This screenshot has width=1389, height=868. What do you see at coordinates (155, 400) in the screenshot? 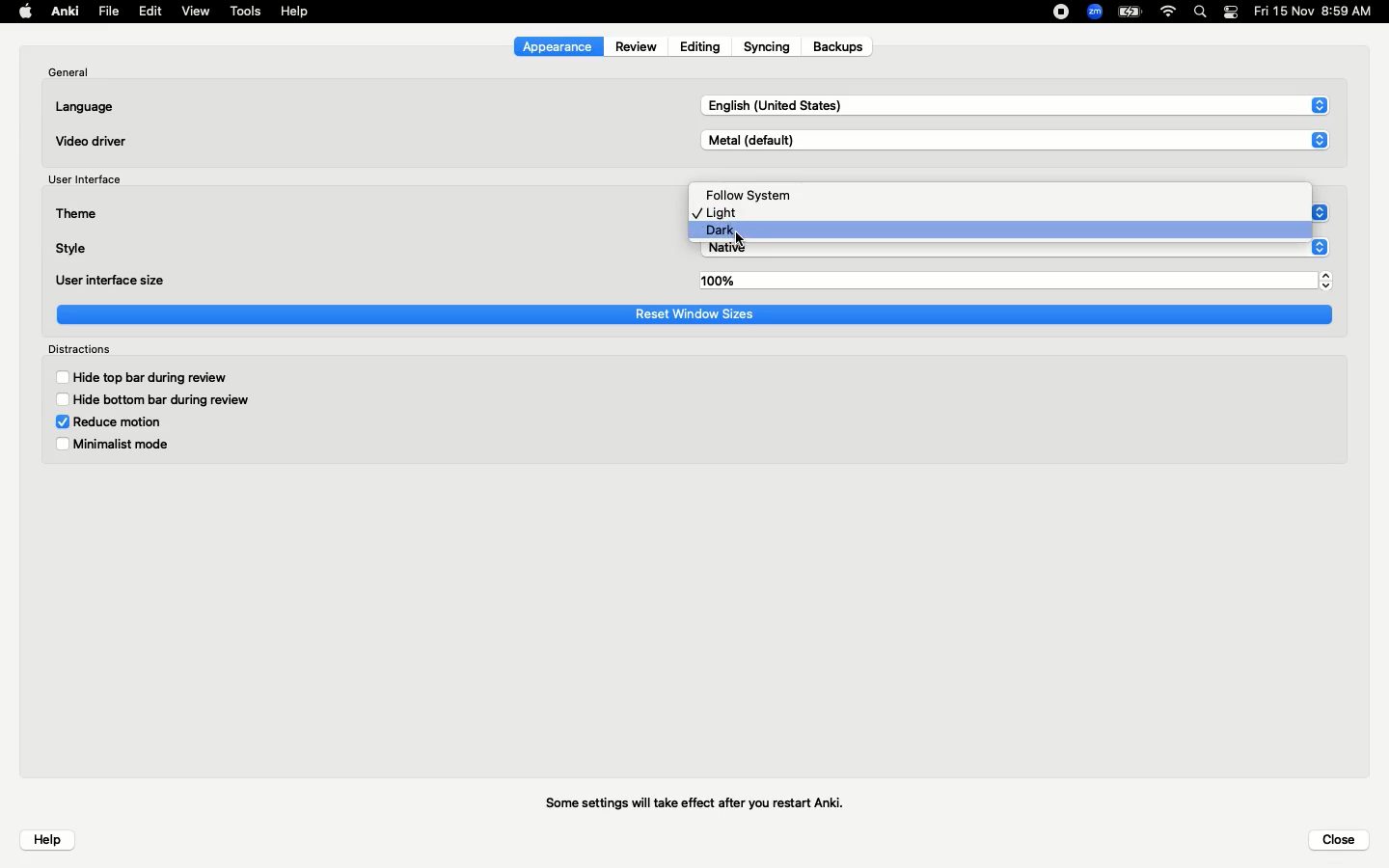
I see `Hide bottom bar during review` at bounding box center [155, 400].